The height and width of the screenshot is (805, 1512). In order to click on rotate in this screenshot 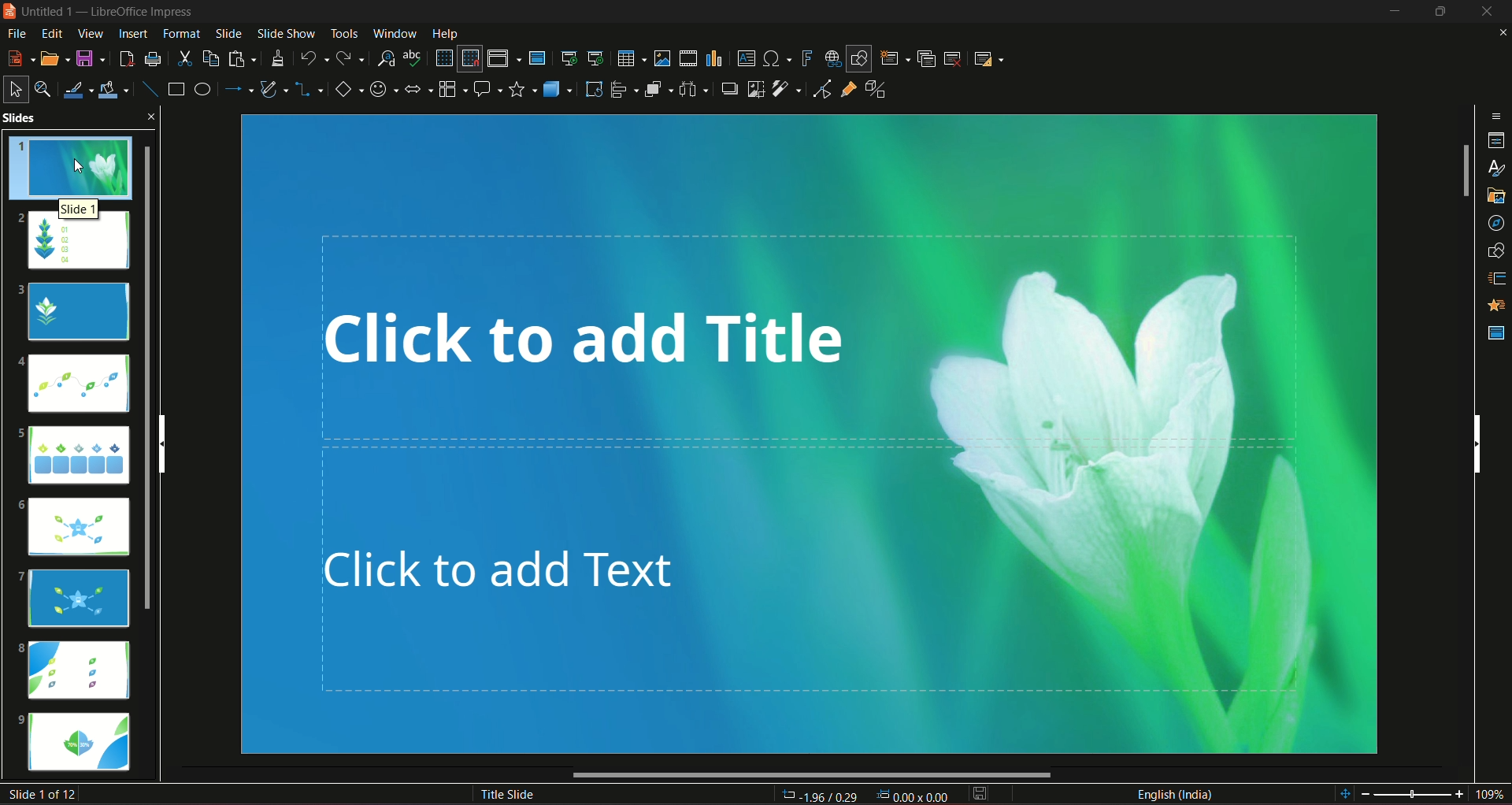, I will do `click(592, 88)`.